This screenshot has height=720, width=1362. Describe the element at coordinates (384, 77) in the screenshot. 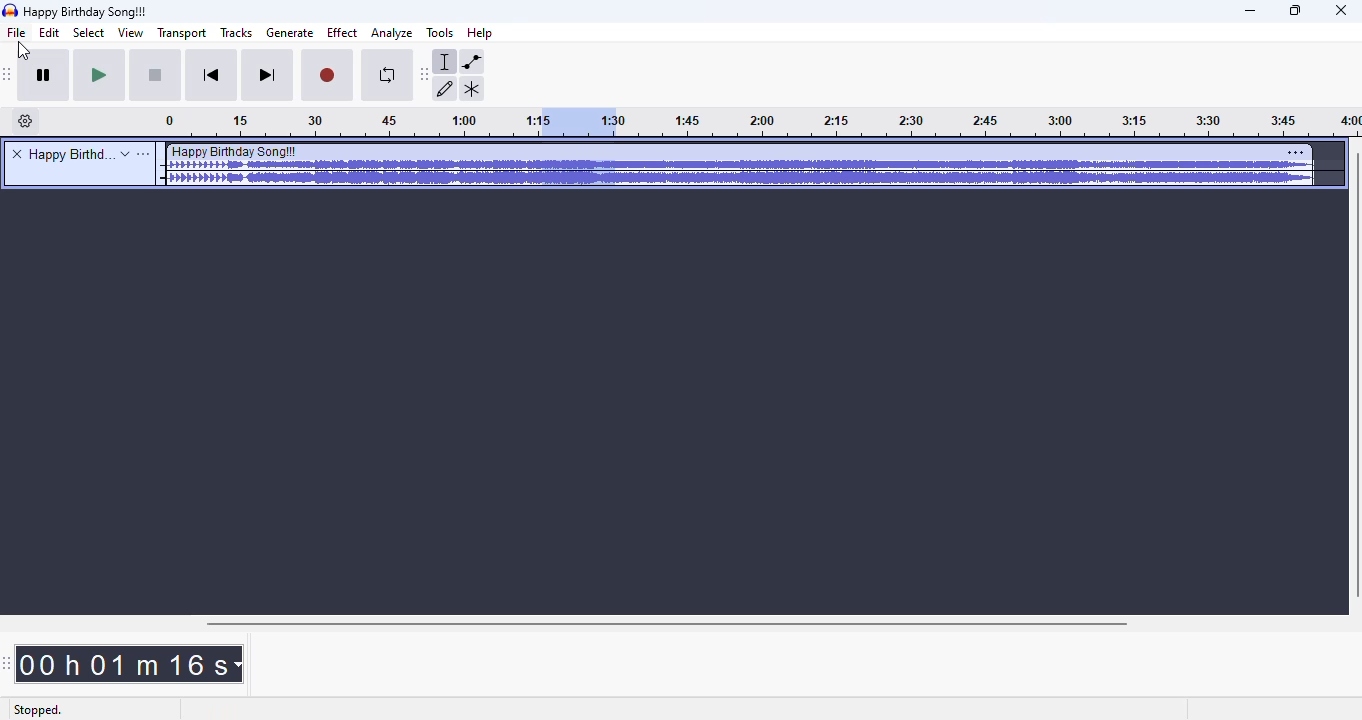

I see `enable looping` at that location.